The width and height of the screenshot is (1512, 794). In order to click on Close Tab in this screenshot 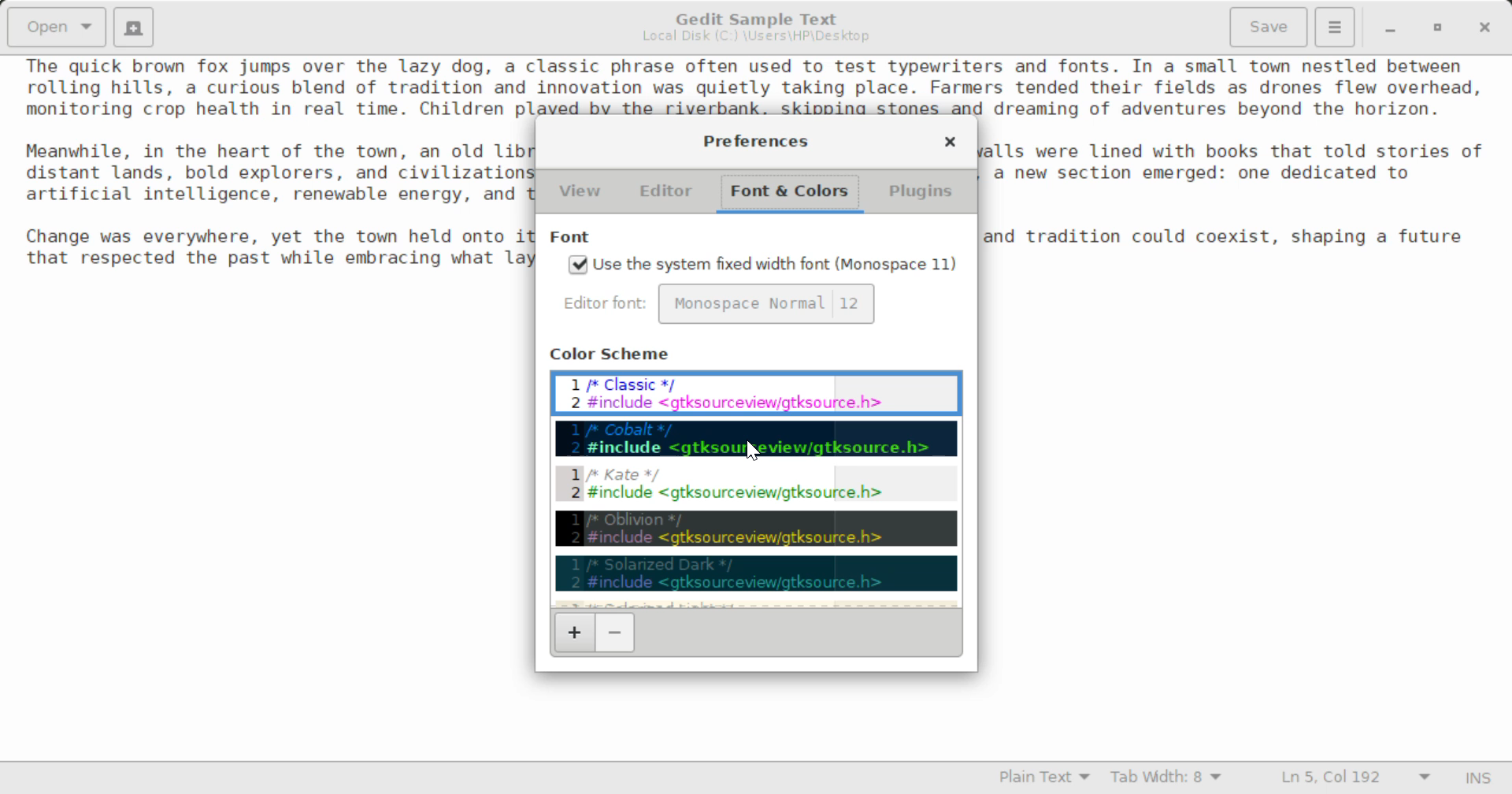, I will do `click(951, 143)`.